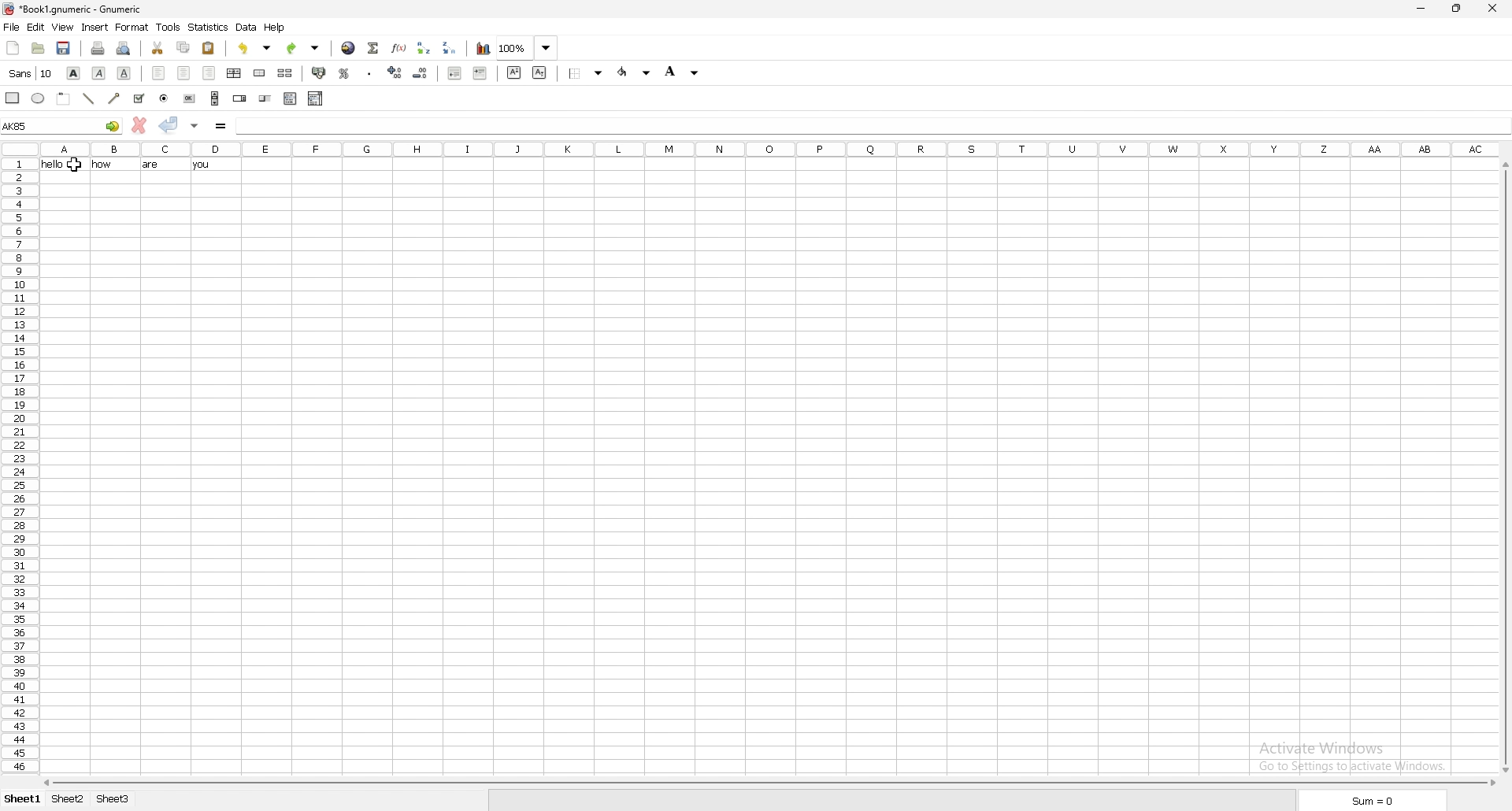 Image resolution: width=1512 pixels, height=811 pixels. What do you see at coordinates (528, 48) in the screenshot?
I see `zoom` at bounding box center [528, 48].